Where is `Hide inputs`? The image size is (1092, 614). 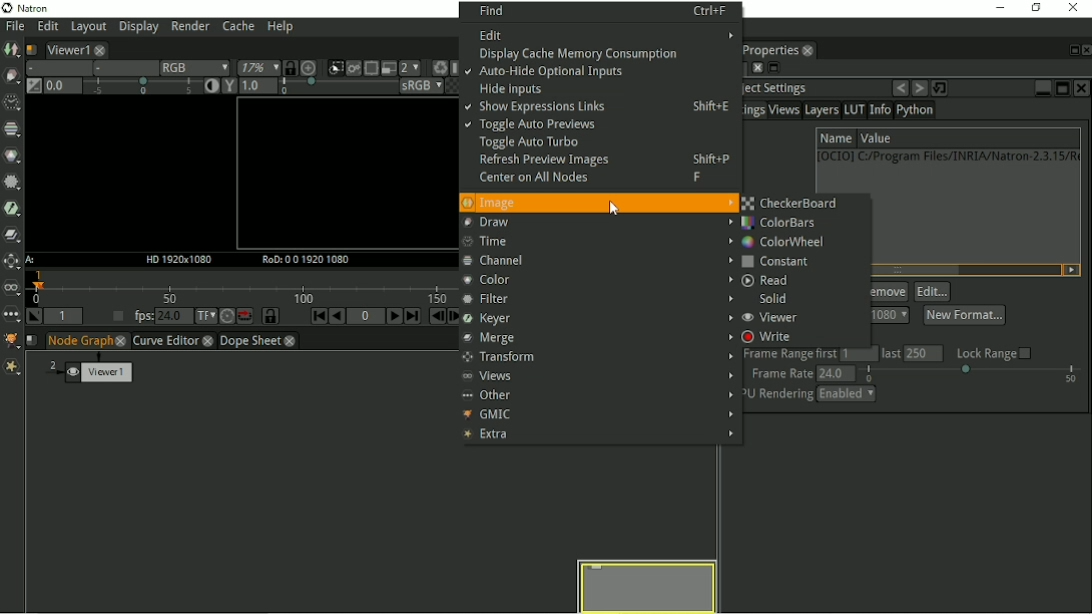 Hide inputs is located at coordinates (509, 89).